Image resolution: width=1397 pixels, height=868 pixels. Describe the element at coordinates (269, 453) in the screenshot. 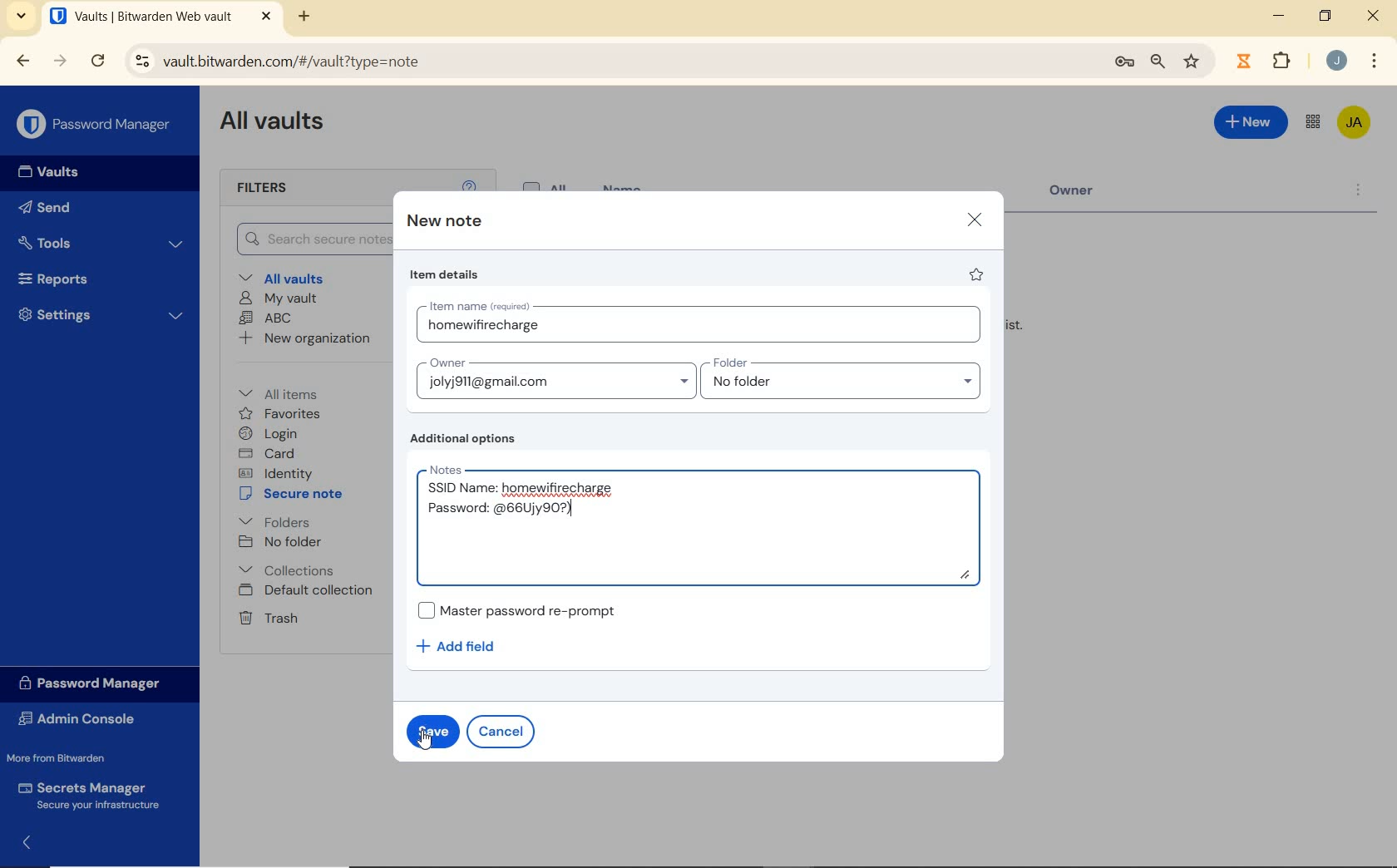

I see `card` at that location.